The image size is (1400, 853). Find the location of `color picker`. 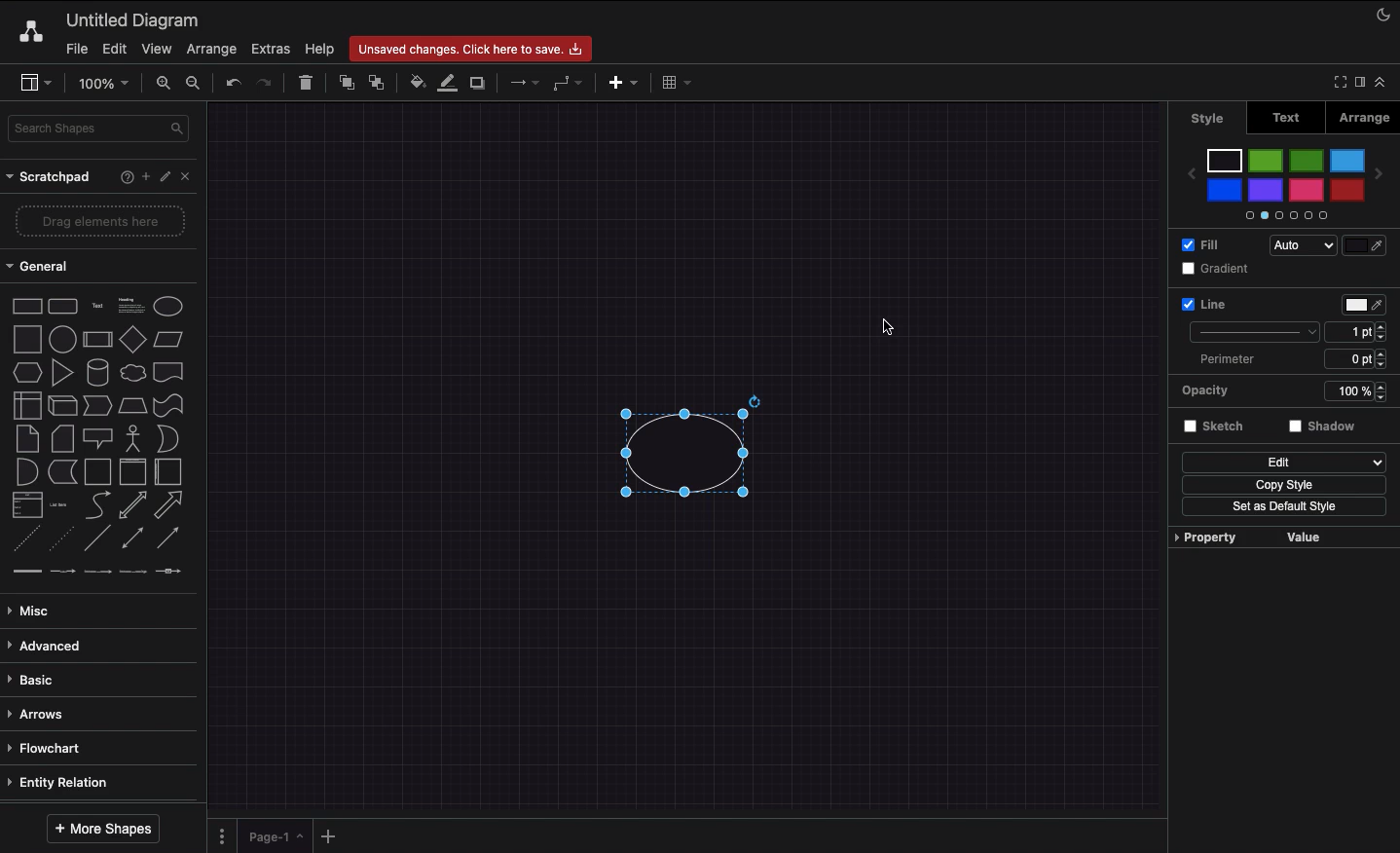

color picker is located at coordinates (1372, 243).